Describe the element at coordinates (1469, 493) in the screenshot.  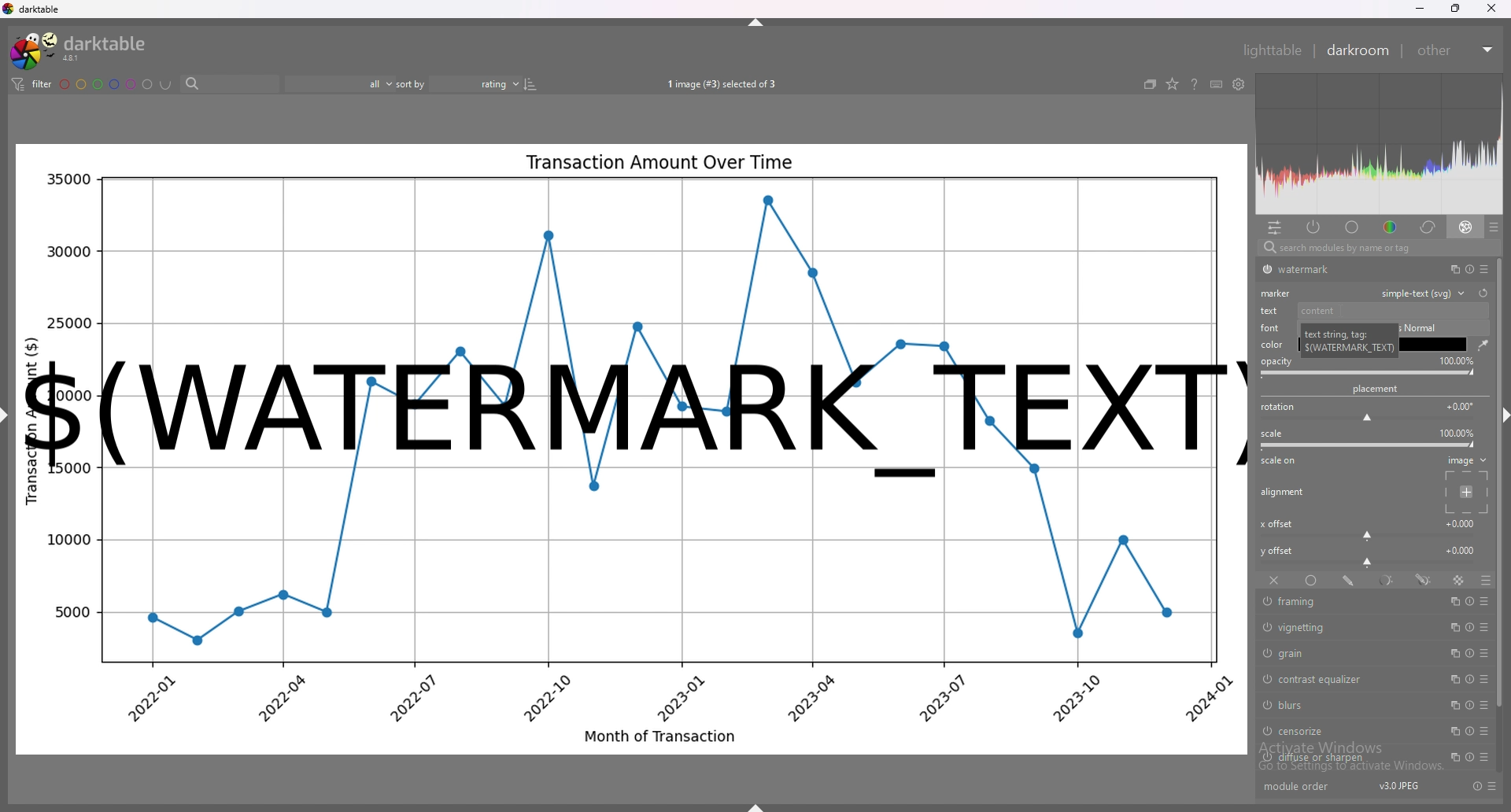
I see `placement` at that location.